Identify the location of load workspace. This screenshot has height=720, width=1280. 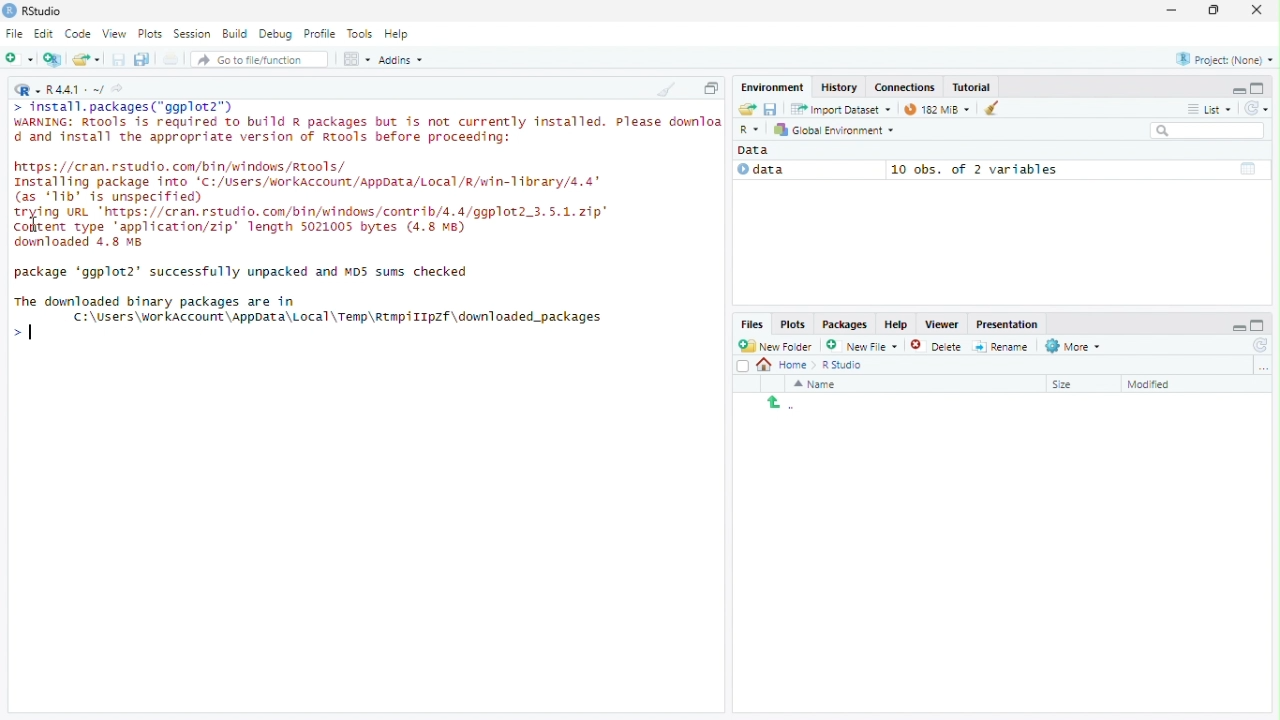
(746, 110).